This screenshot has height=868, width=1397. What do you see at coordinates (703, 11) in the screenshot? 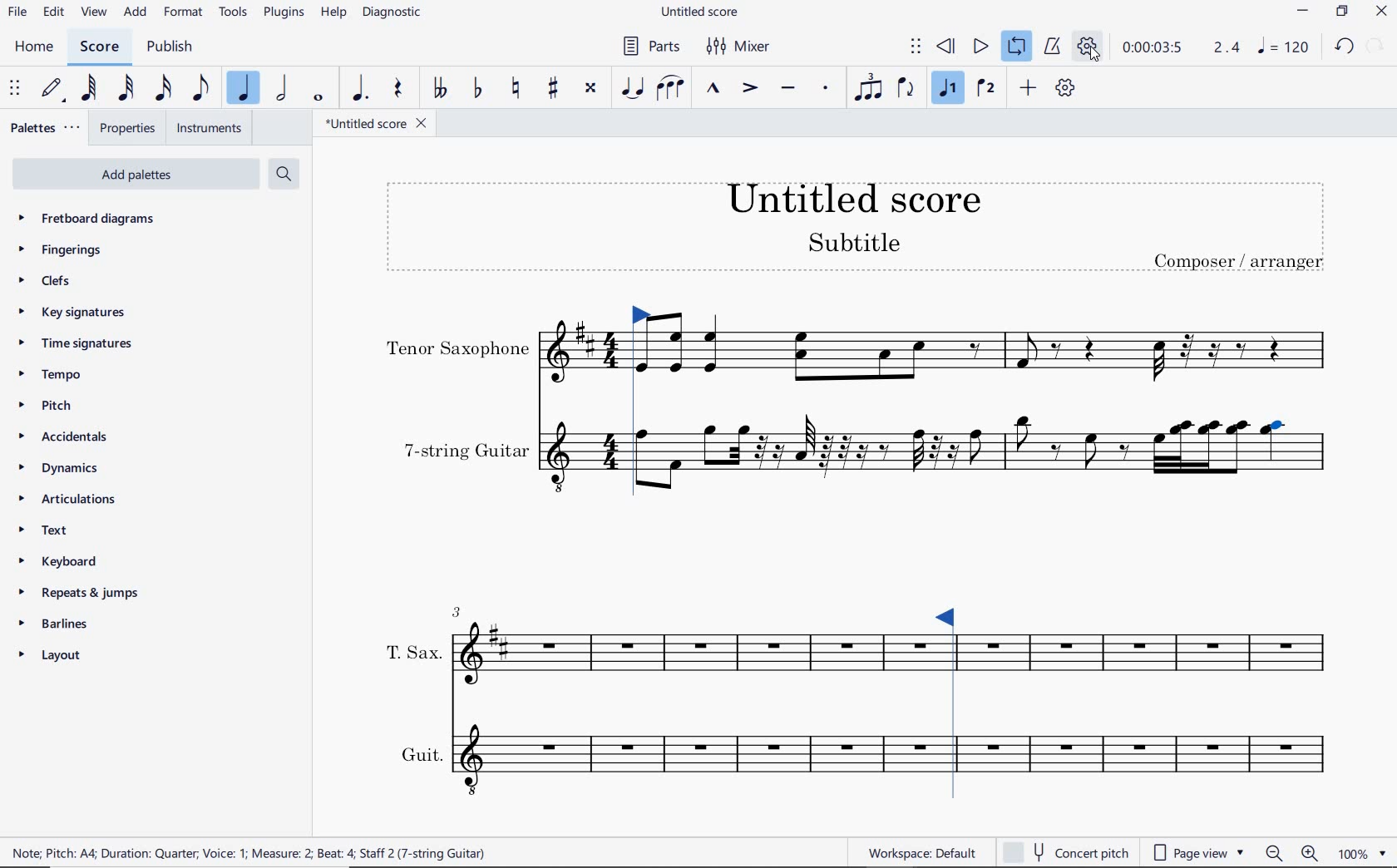
I see `FILE NAME` at bounding box center [703, 11].